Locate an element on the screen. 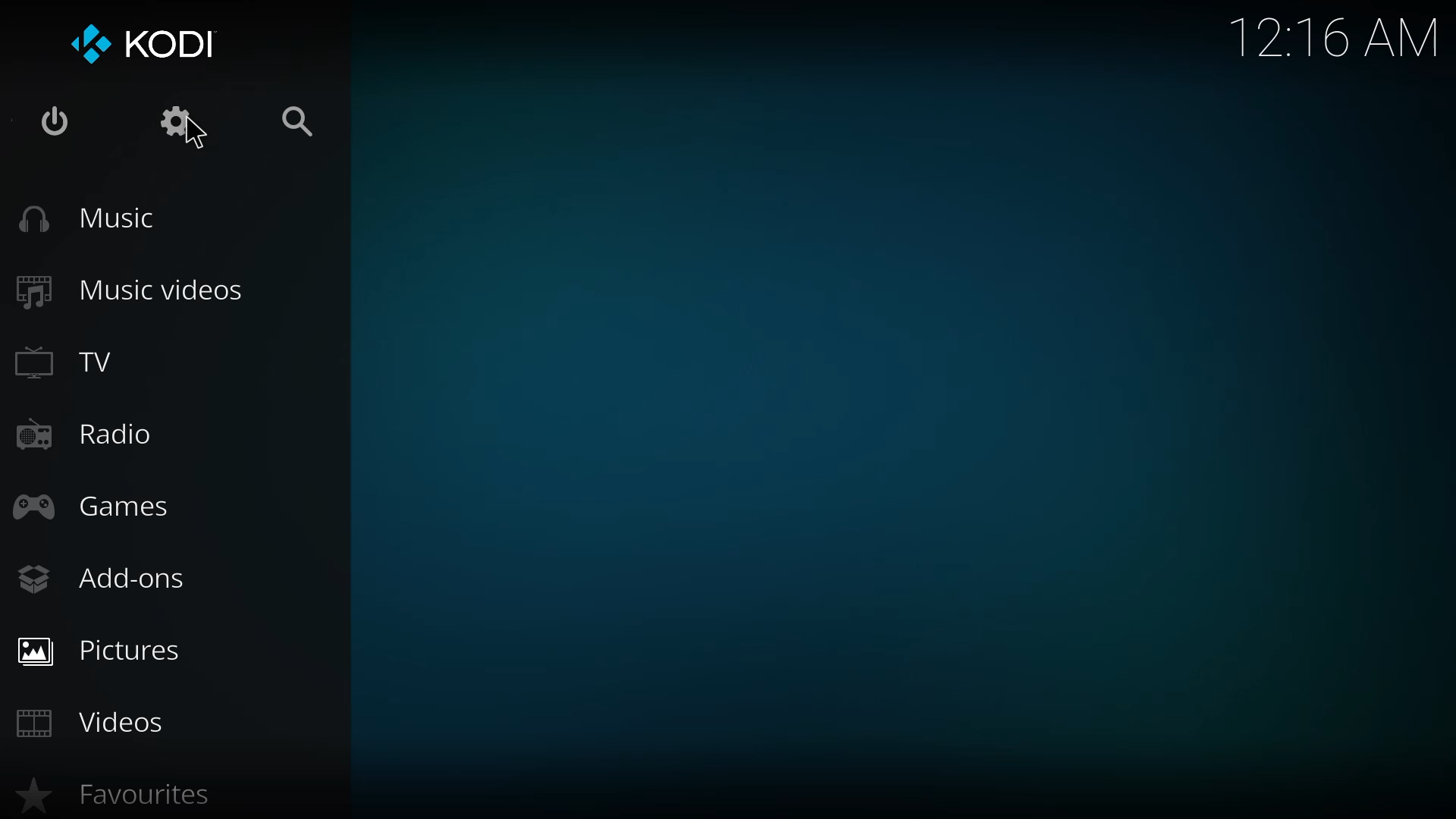  music is located at coordinates (96, 219).